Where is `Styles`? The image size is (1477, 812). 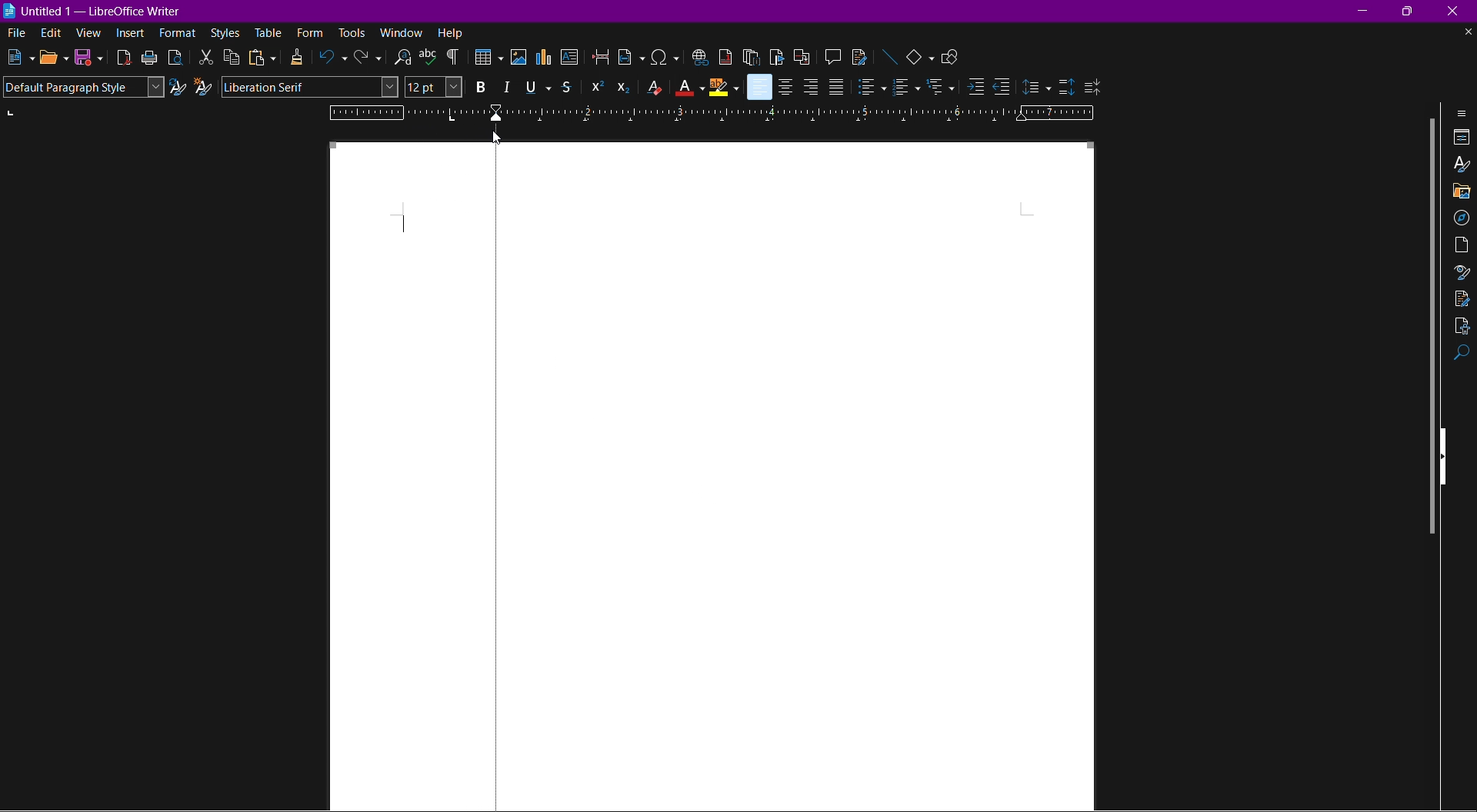 Styles is located at coordinates (1462, 166).